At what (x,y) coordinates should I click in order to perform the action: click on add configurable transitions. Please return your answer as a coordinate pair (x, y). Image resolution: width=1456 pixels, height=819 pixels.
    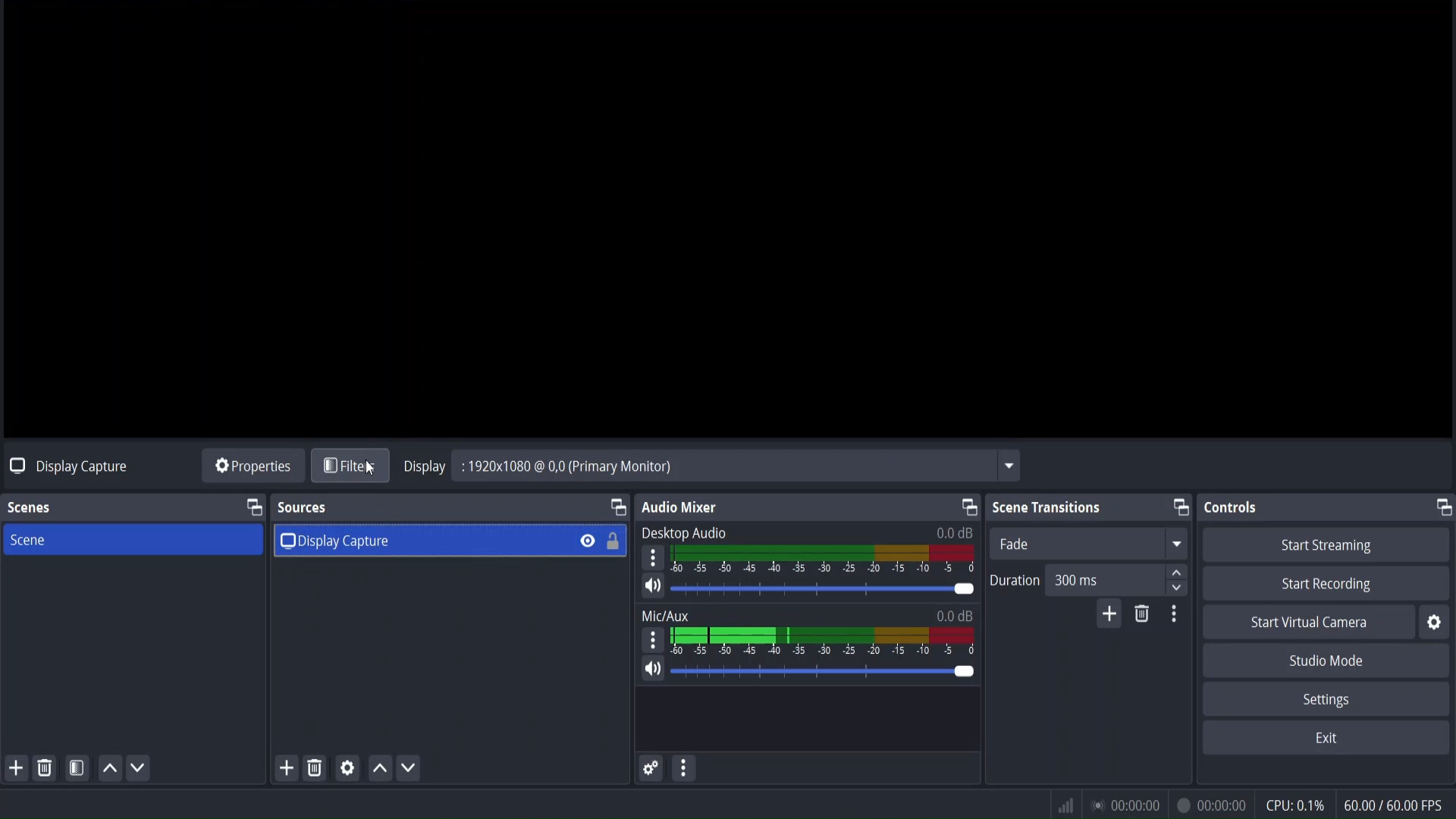
    Looking at the image, I should click on (1109, 616).